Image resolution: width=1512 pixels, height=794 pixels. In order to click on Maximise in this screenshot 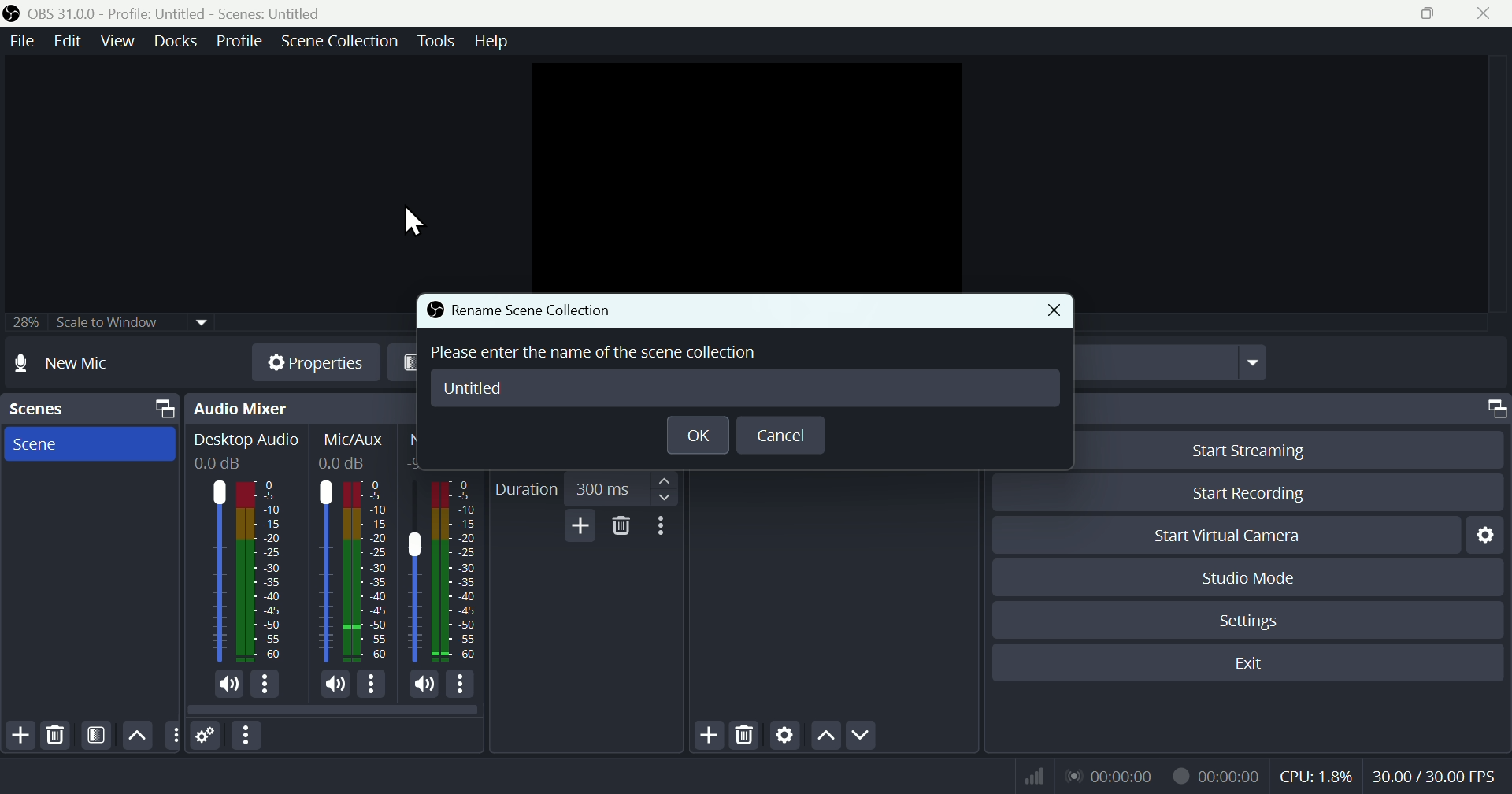, I will do `click(1432, 16)`.